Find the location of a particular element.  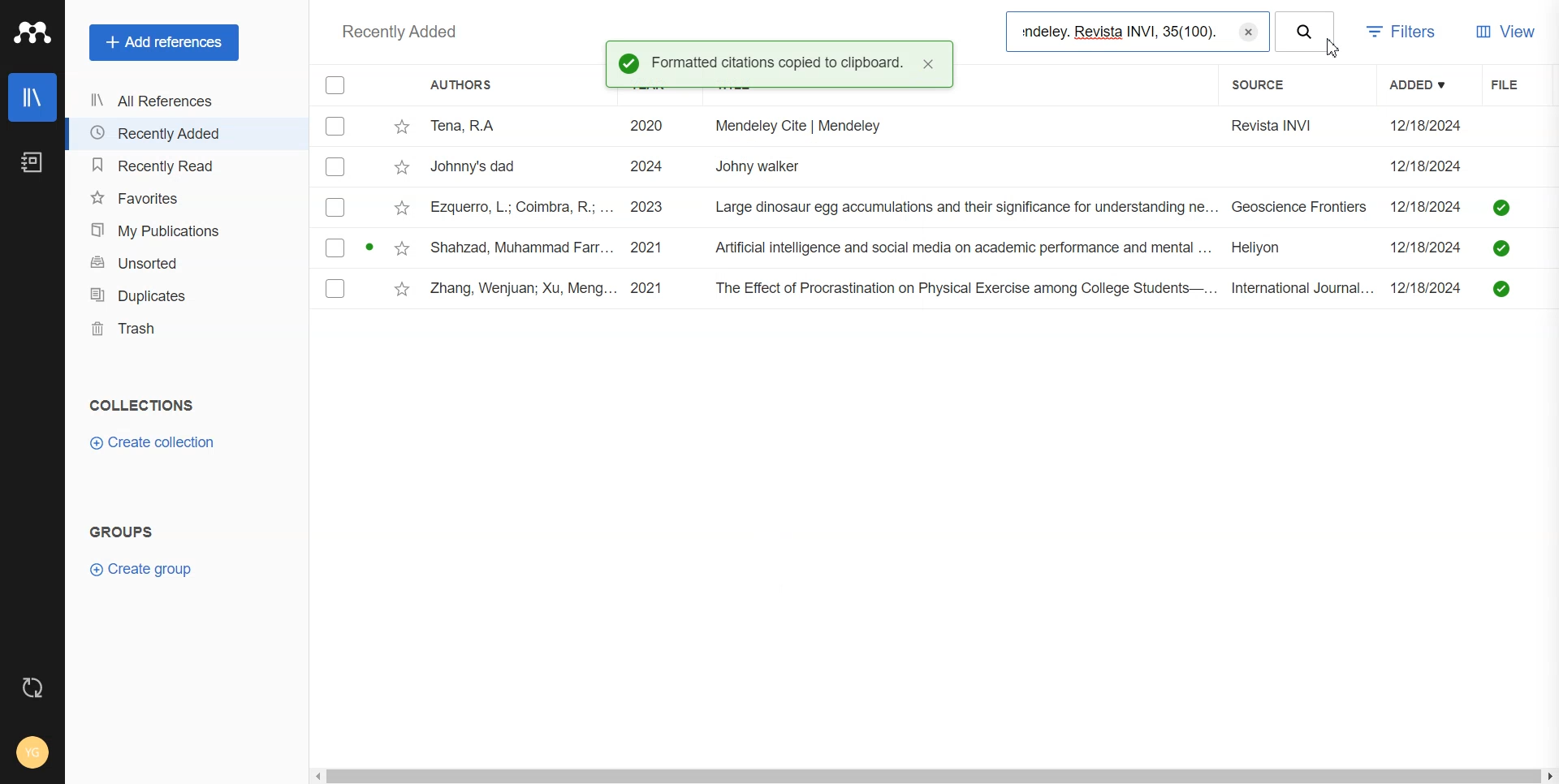

Formatted citations copied to clipboard. is located at coordinates (779, 63).